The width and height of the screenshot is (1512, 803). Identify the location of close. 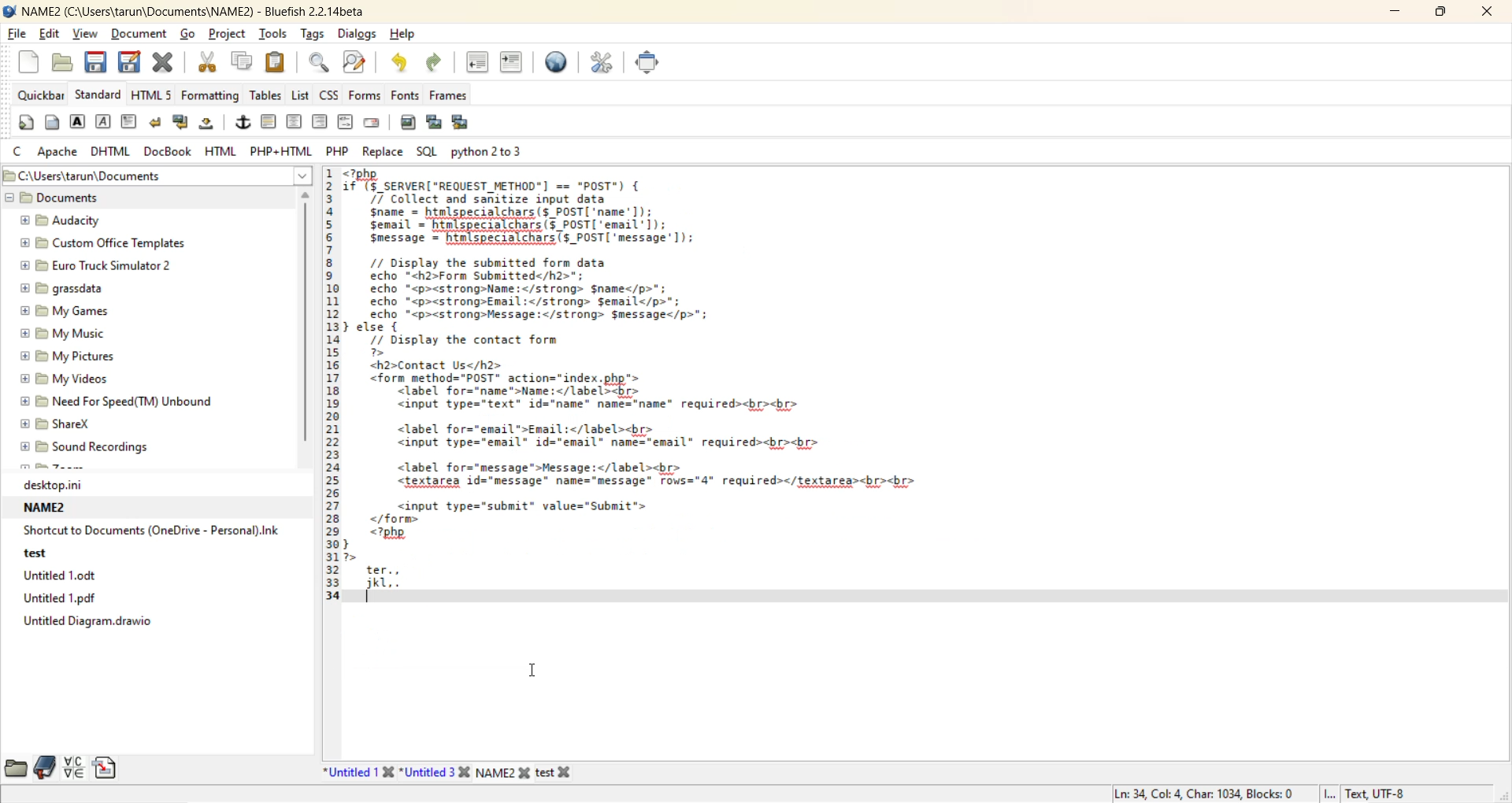
(1481, 12).